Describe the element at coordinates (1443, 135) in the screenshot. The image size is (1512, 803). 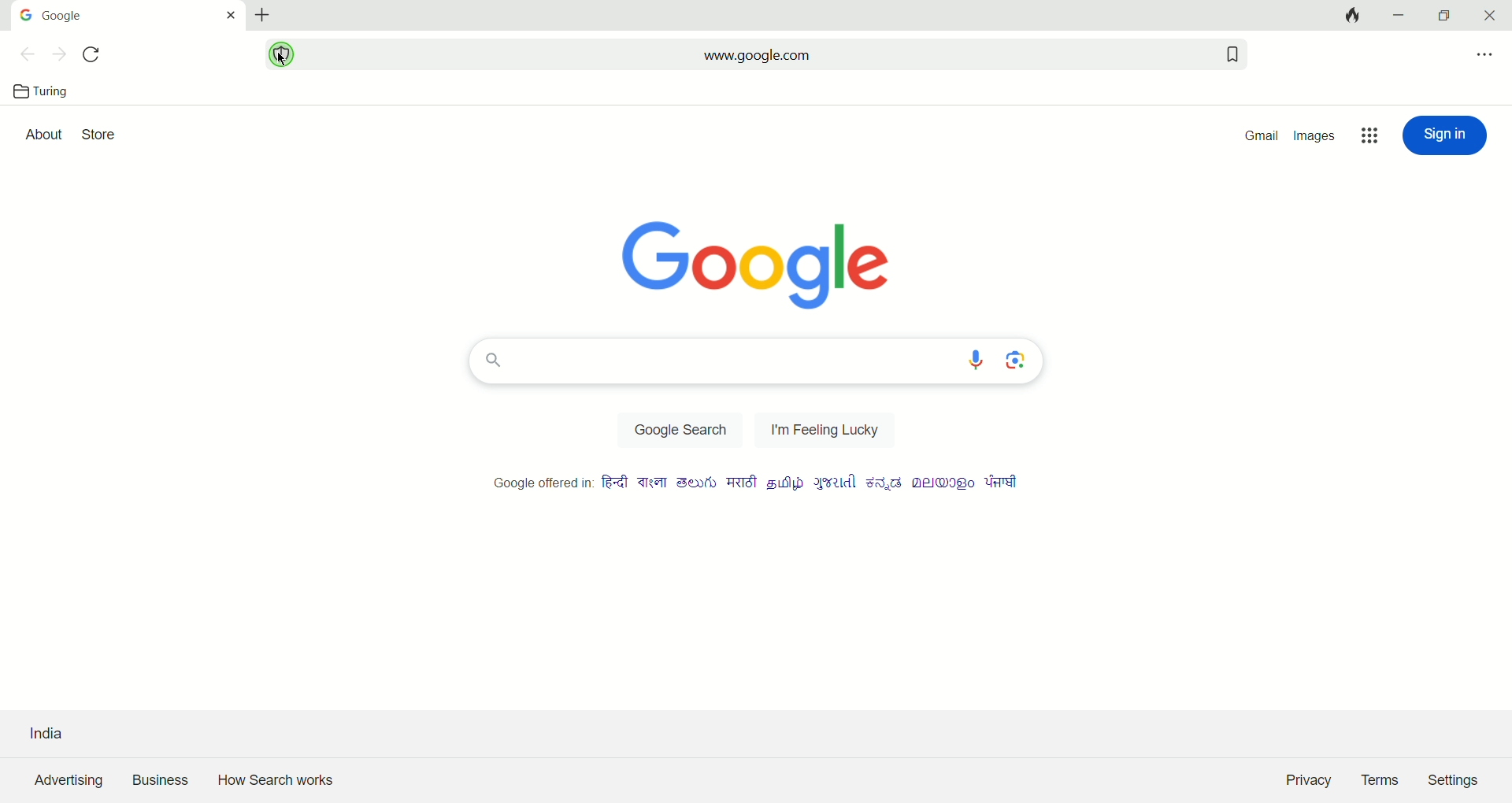
I see `sign in` at that location.